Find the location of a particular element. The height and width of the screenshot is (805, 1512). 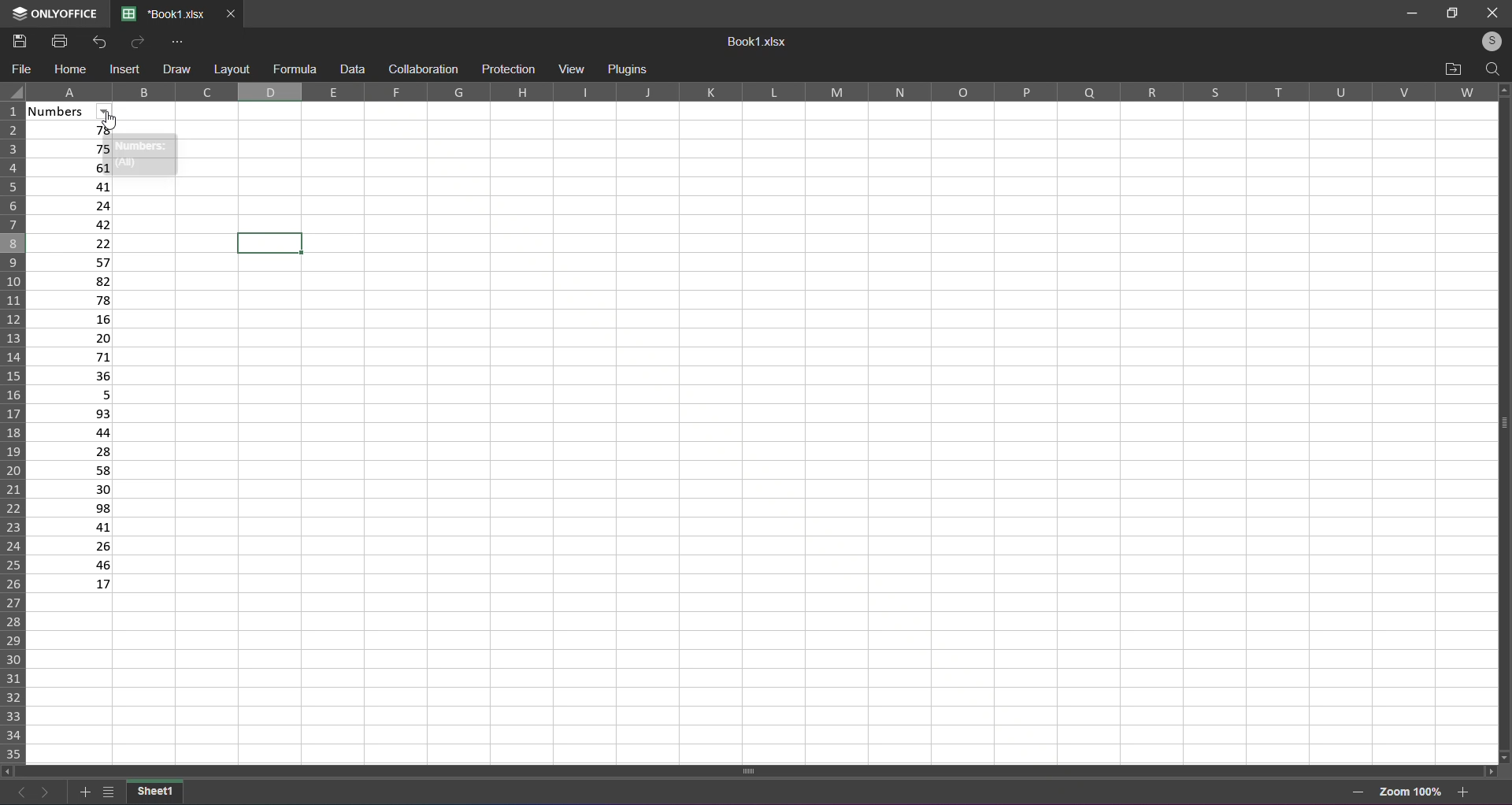

data is located at coordinates (353, 69).